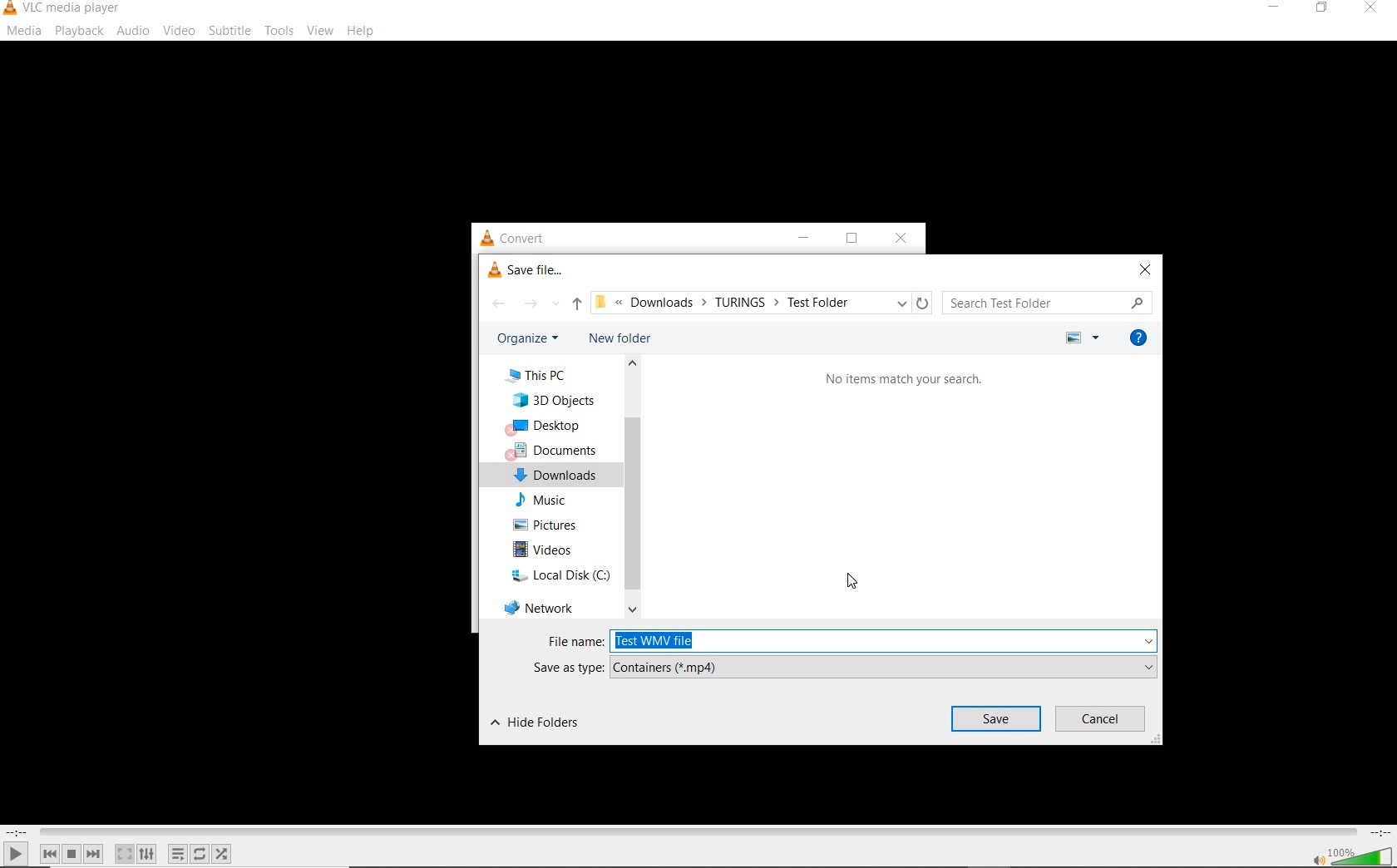 This screenshot has width=1397, height=868. I want to click on FILE NAME: test WMV file, so click(852, 641).